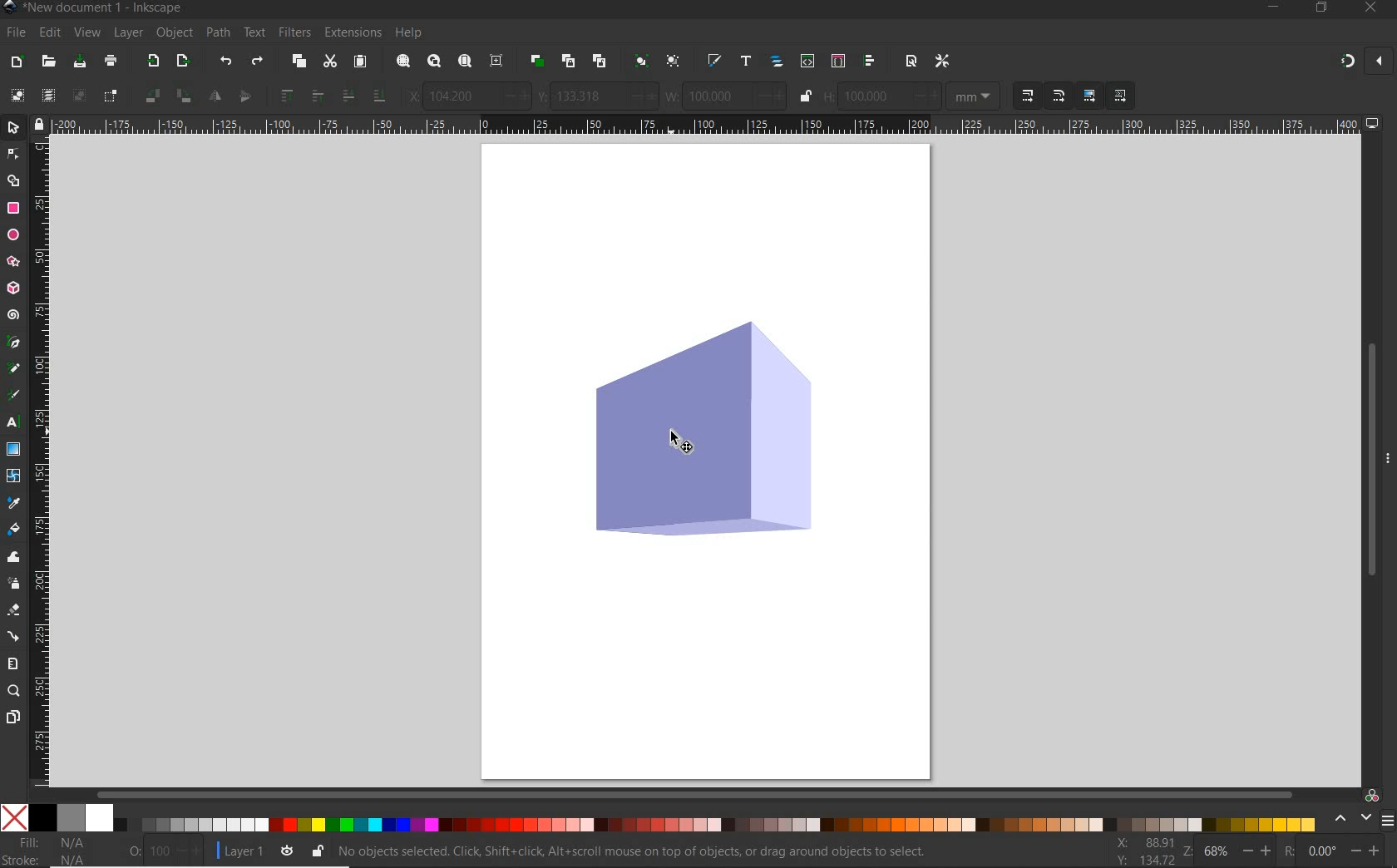 The height and width of the screenshot is (868, 1397). Describe the element at coordinates (1325, 851) in the screenshot. I see `0` at that location.